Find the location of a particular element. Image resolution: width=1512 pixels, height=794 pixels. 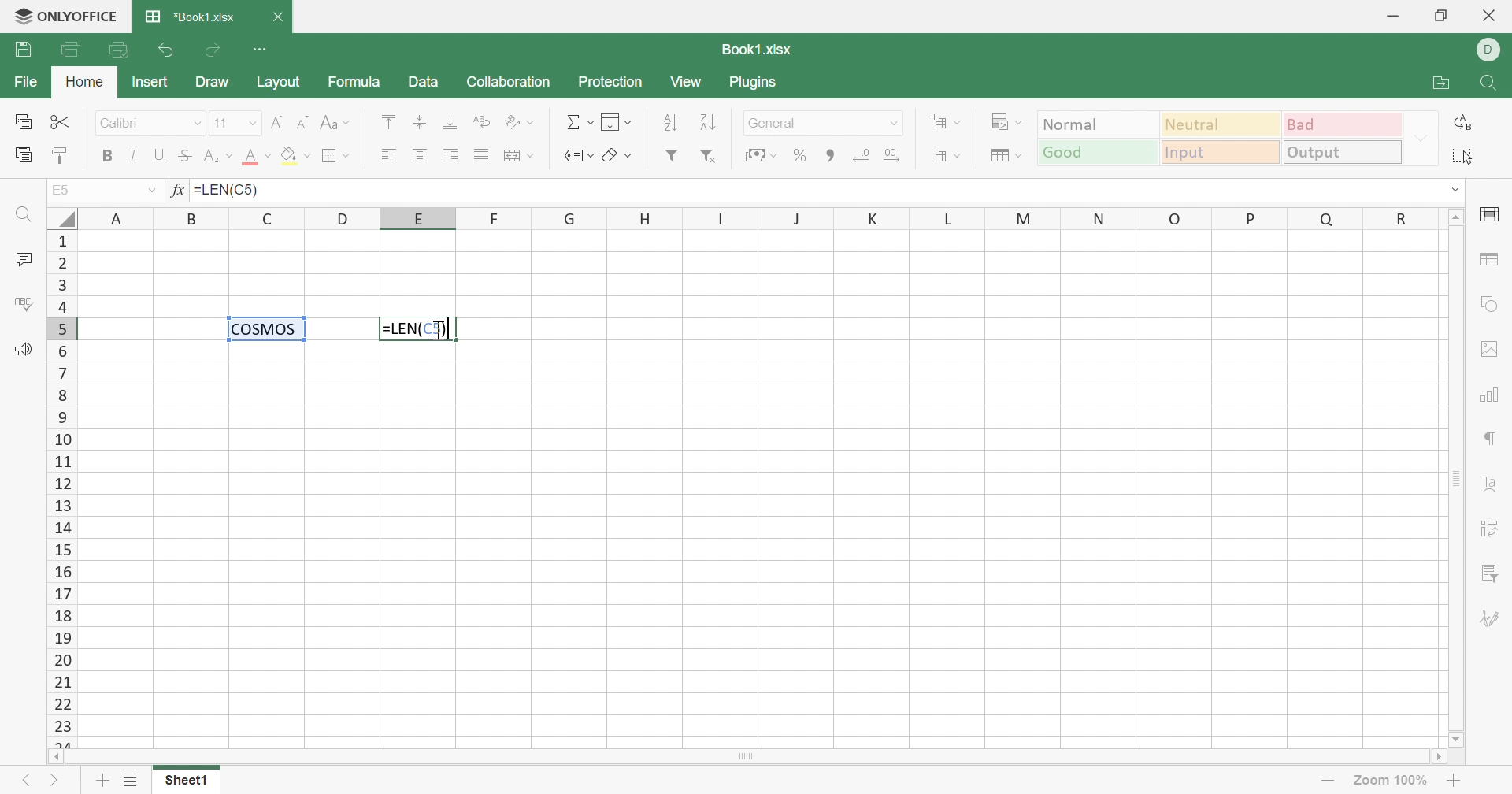

DELL is located at coordinates (1488, 50).